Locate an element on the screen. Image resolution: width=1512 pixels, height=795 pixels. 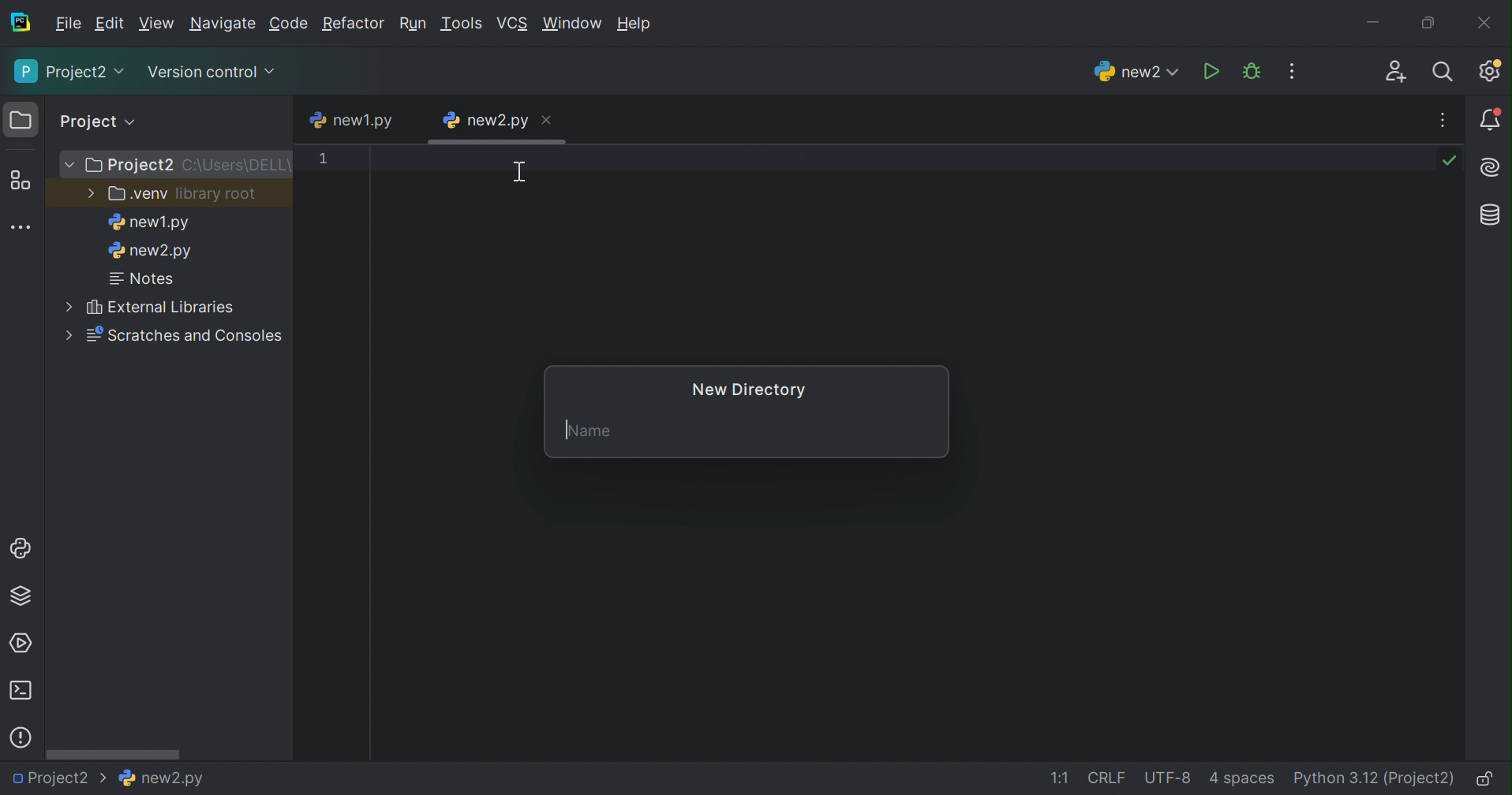
Code with me is located at coordinates (1396, 72).